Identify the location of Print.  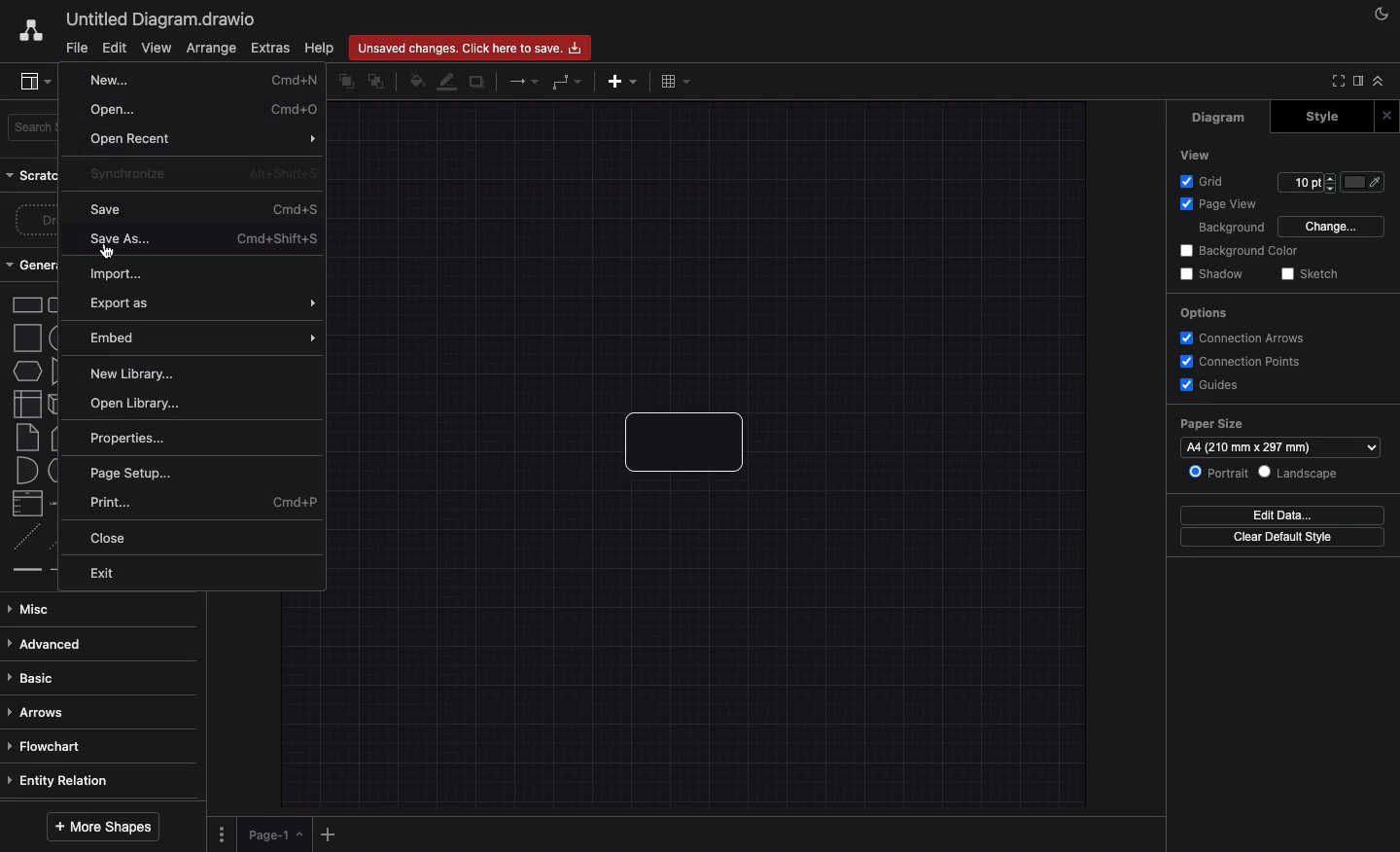
(206, 504).